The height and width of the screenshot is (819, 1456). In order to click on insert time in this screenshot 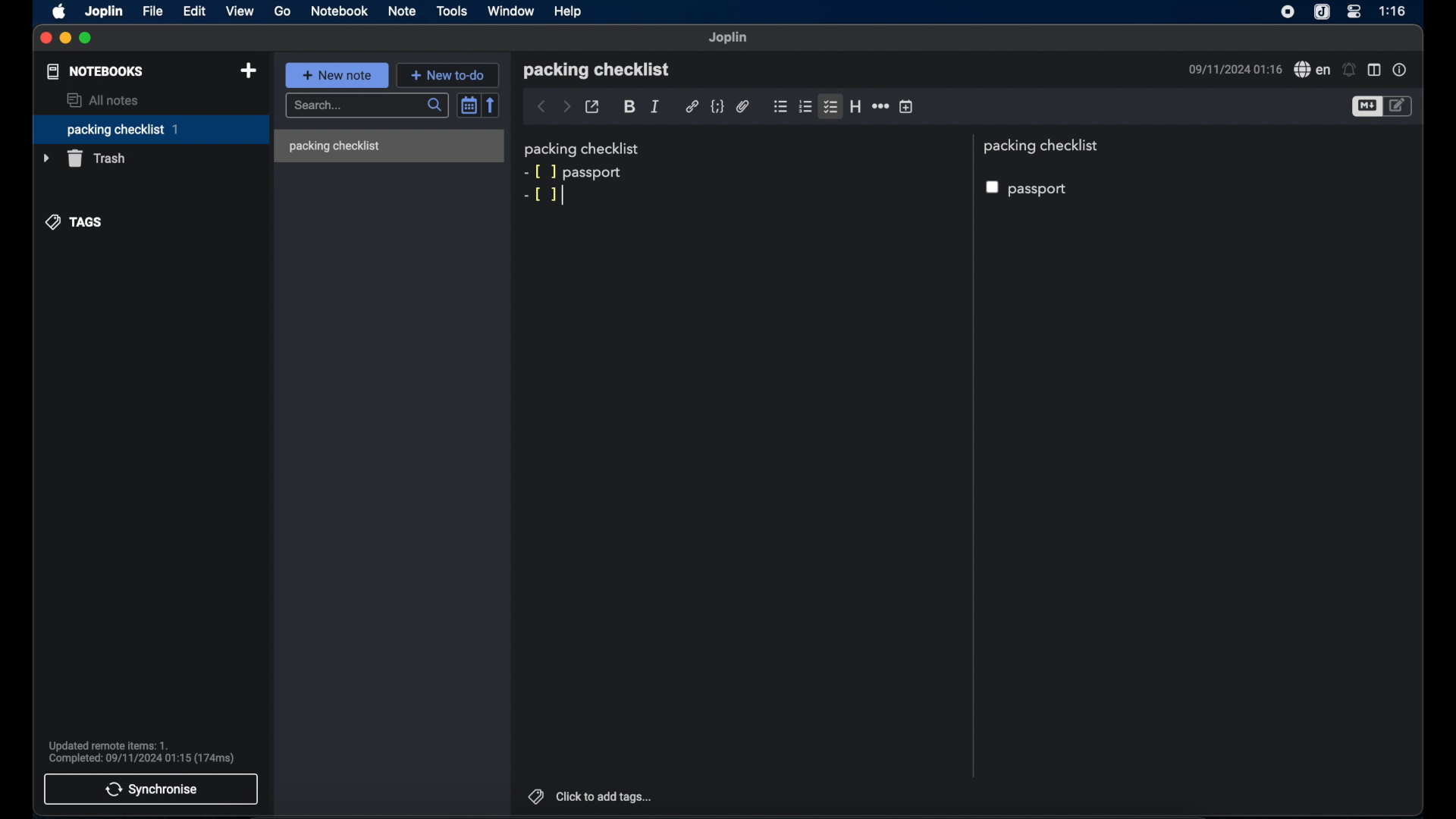, I will do `click(907, 107)`.